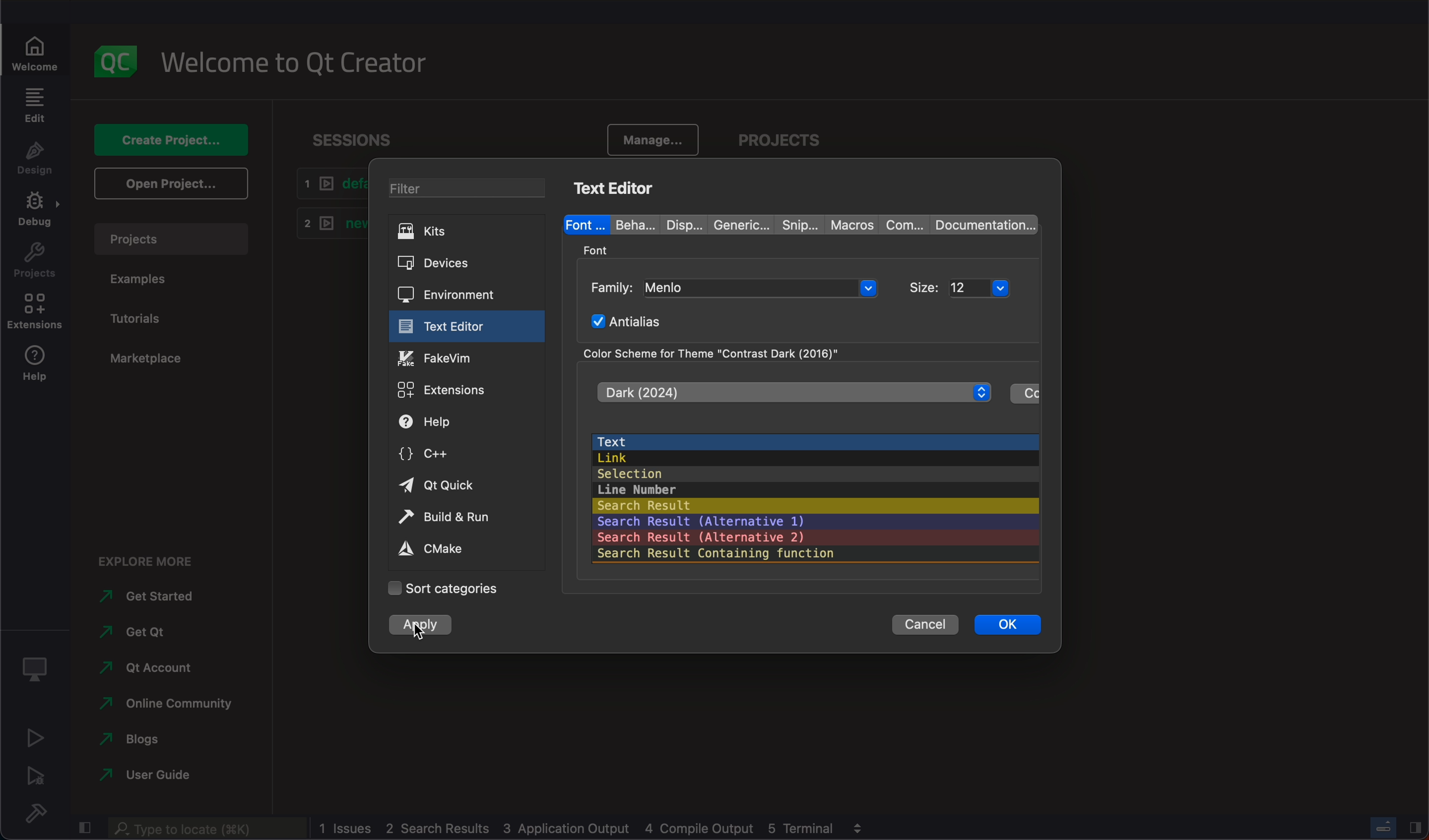 The height and width of the screenshot is (840, 1429). I want to click on generic, so click(734, 223).